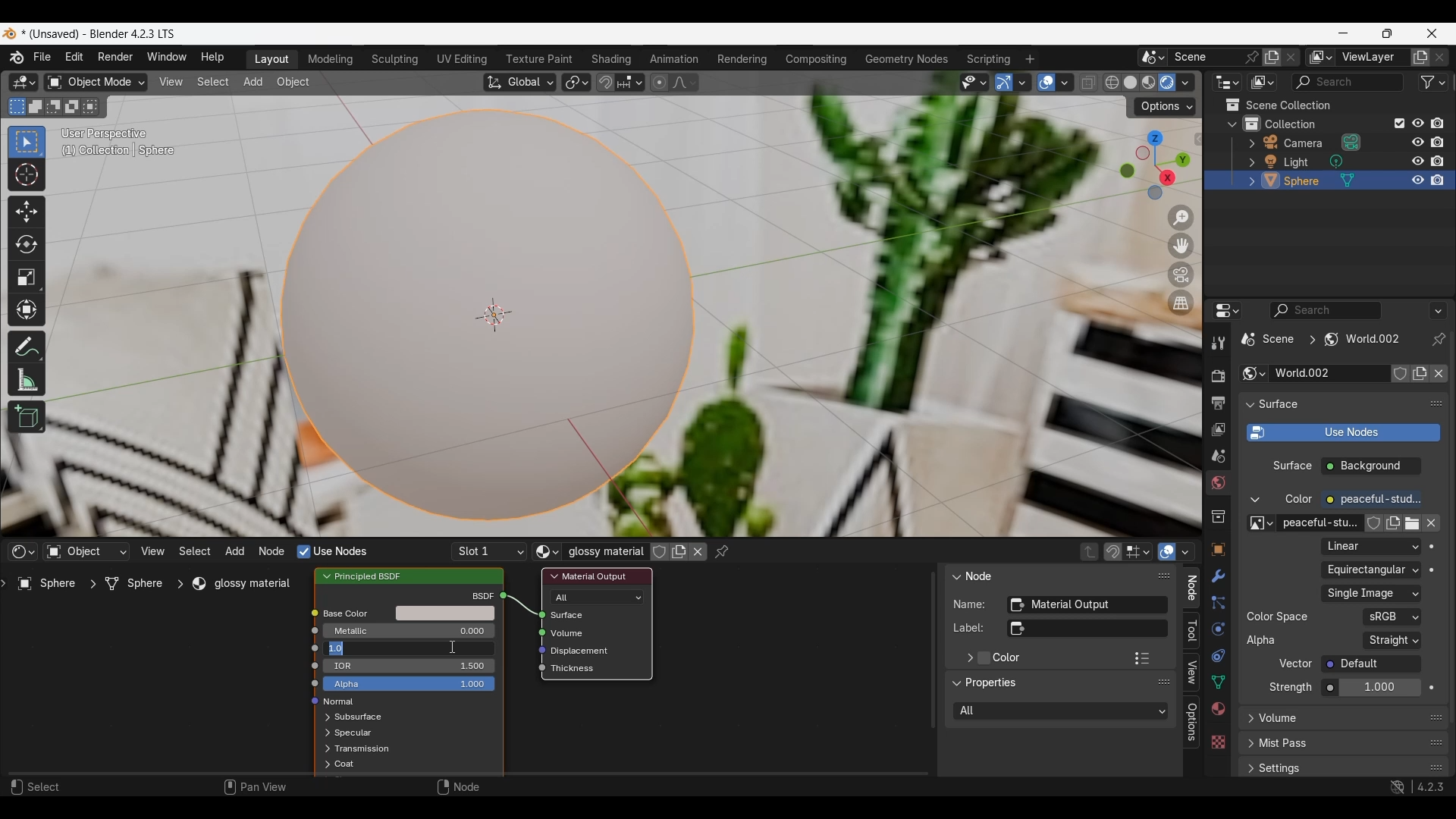  What do you see at coordinates (1251, 123) in the screenshot?
I see `Collections` at bounding box center [1251, 123].